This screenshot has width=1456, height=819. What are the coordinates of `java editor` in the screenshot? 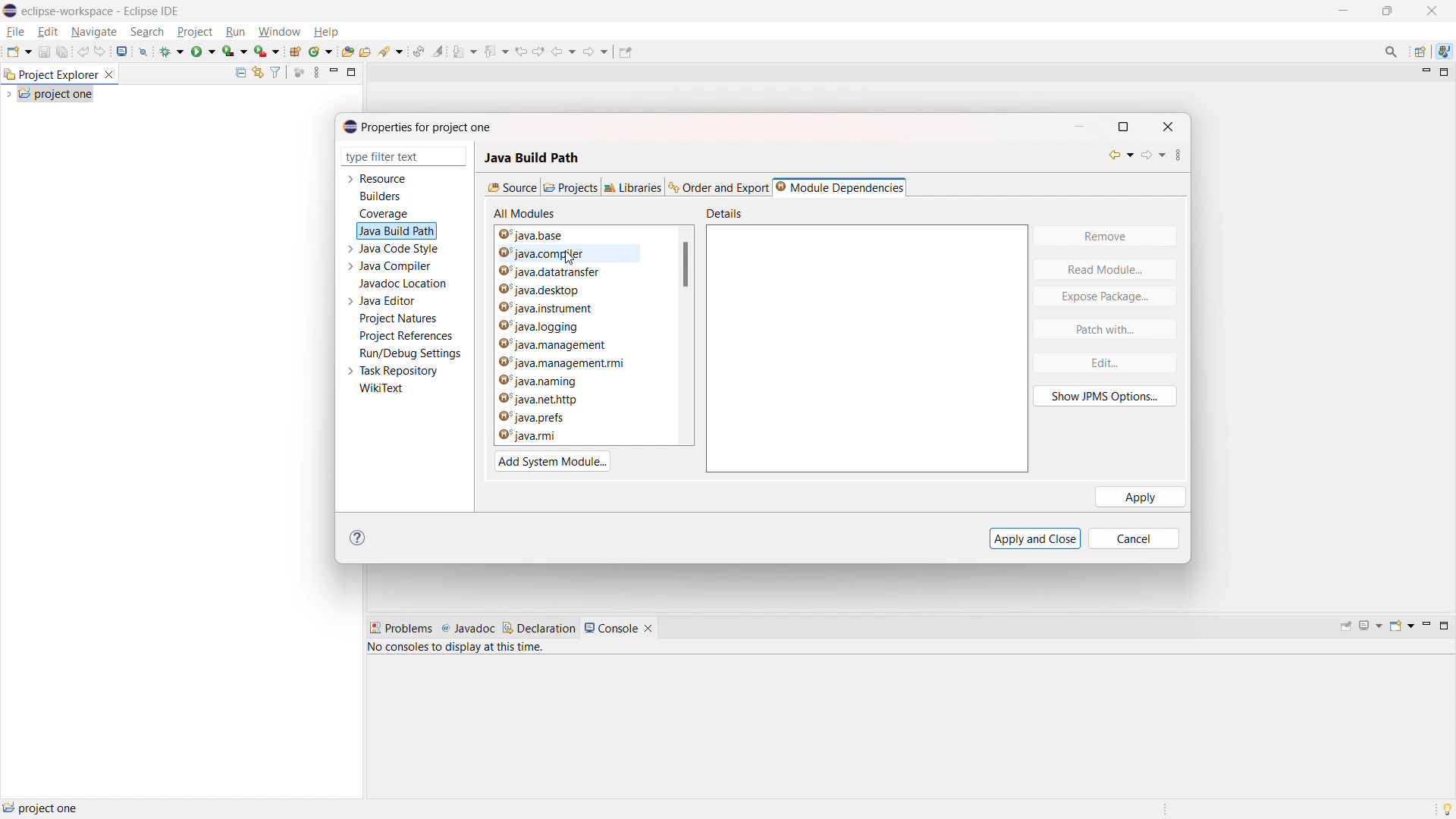 It's located at (388, 301).